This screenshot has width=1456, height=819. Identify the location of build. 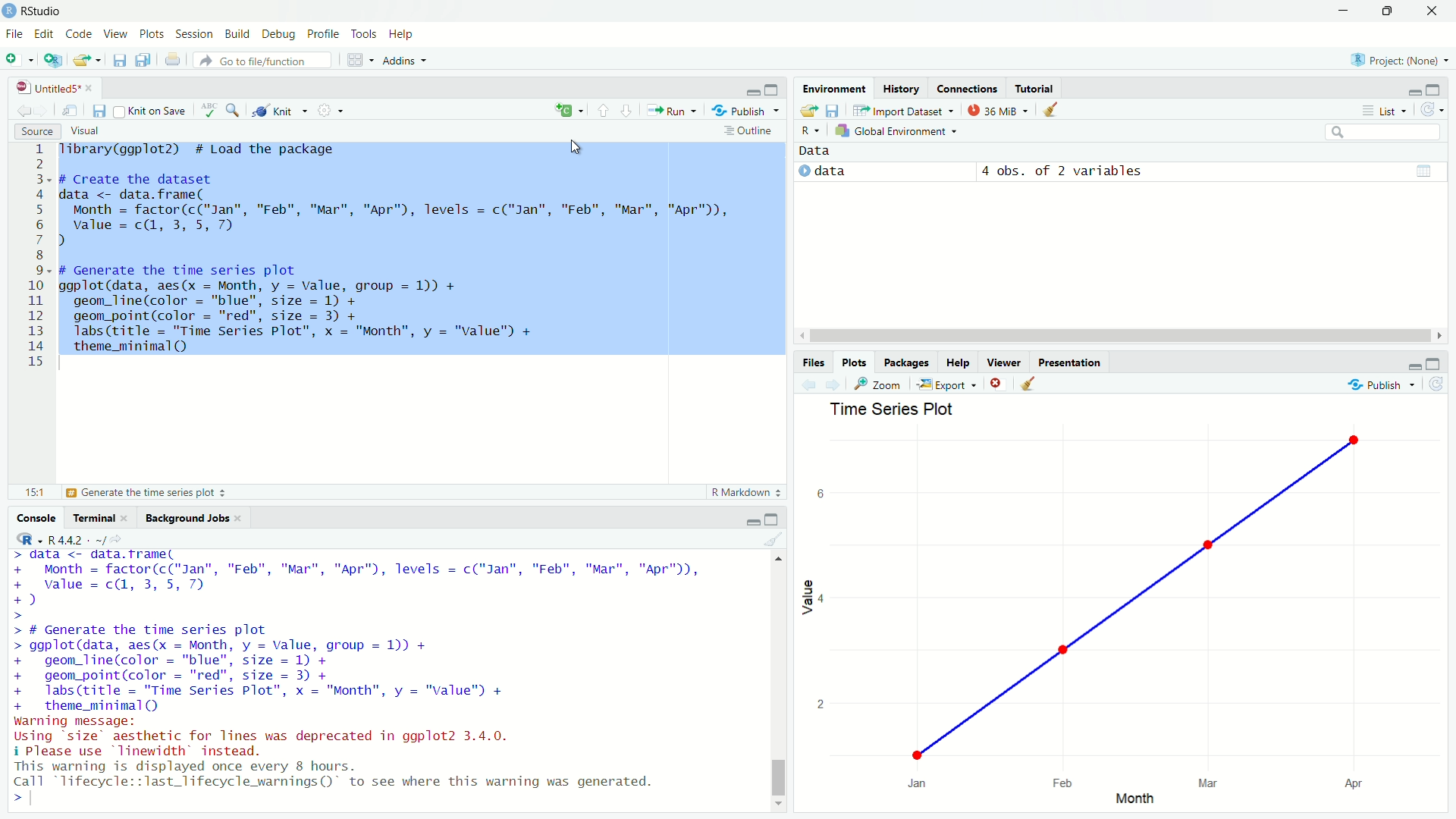
(239, 33).